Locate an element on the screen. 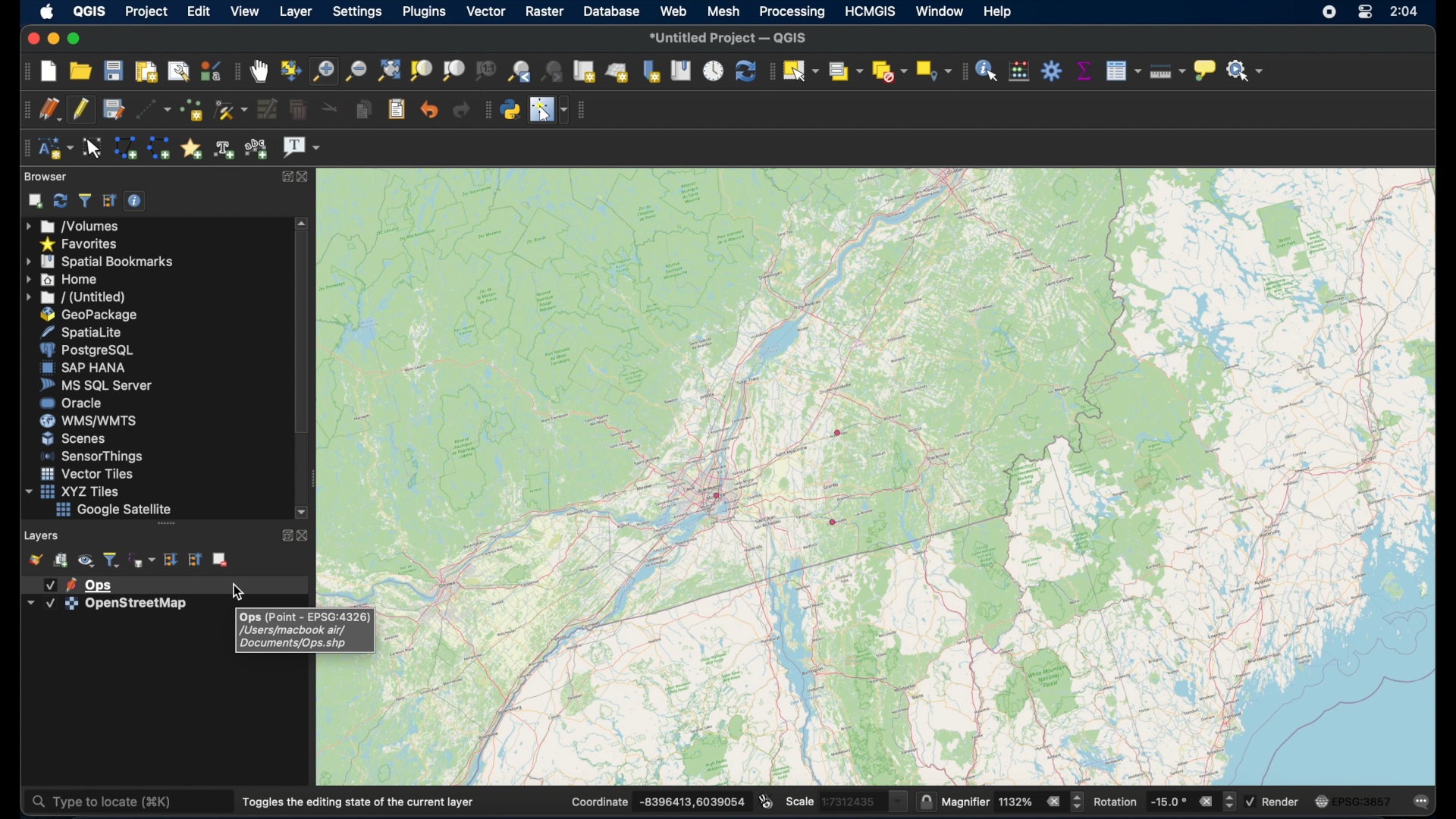 This screenshot has height=819, width=1456. new print layout is located at coordinates (146, 70).